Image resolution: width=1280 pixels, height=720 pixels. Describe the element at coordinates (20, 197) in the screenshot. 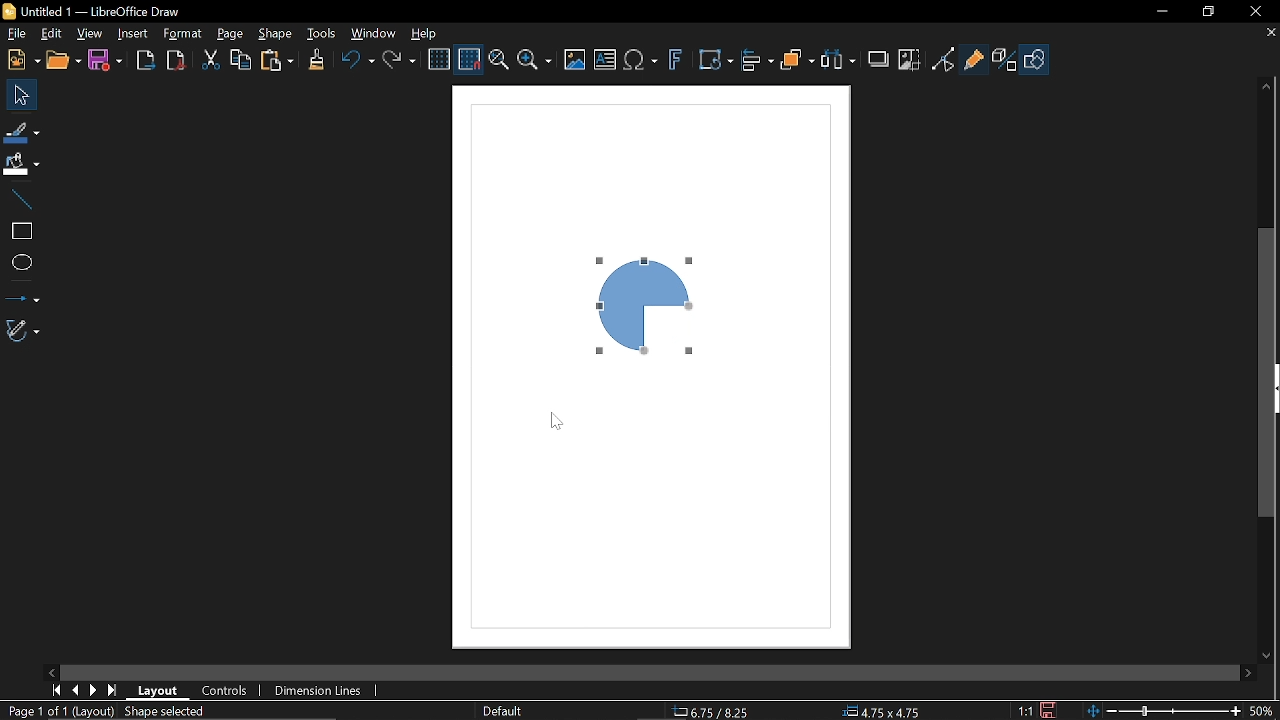

I see `Line` at that location.